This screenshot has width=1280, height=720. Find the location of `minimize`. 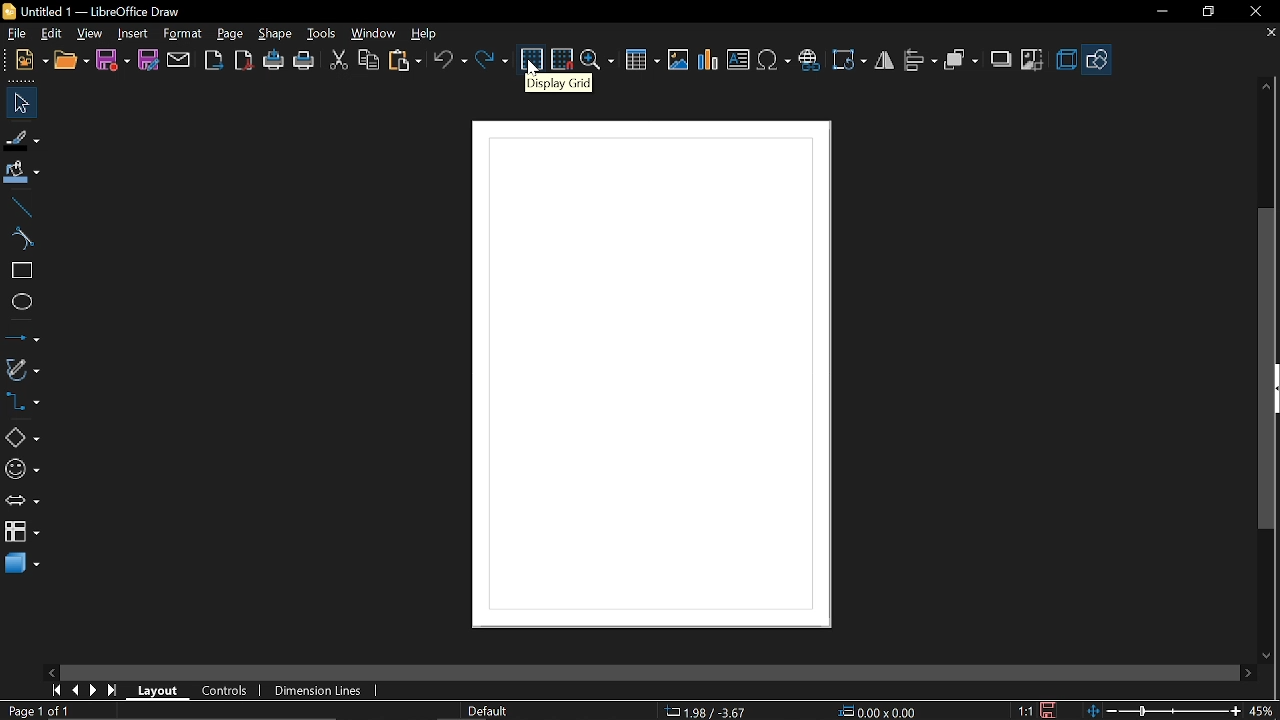

minimize is located at coordinates (1160, 12).